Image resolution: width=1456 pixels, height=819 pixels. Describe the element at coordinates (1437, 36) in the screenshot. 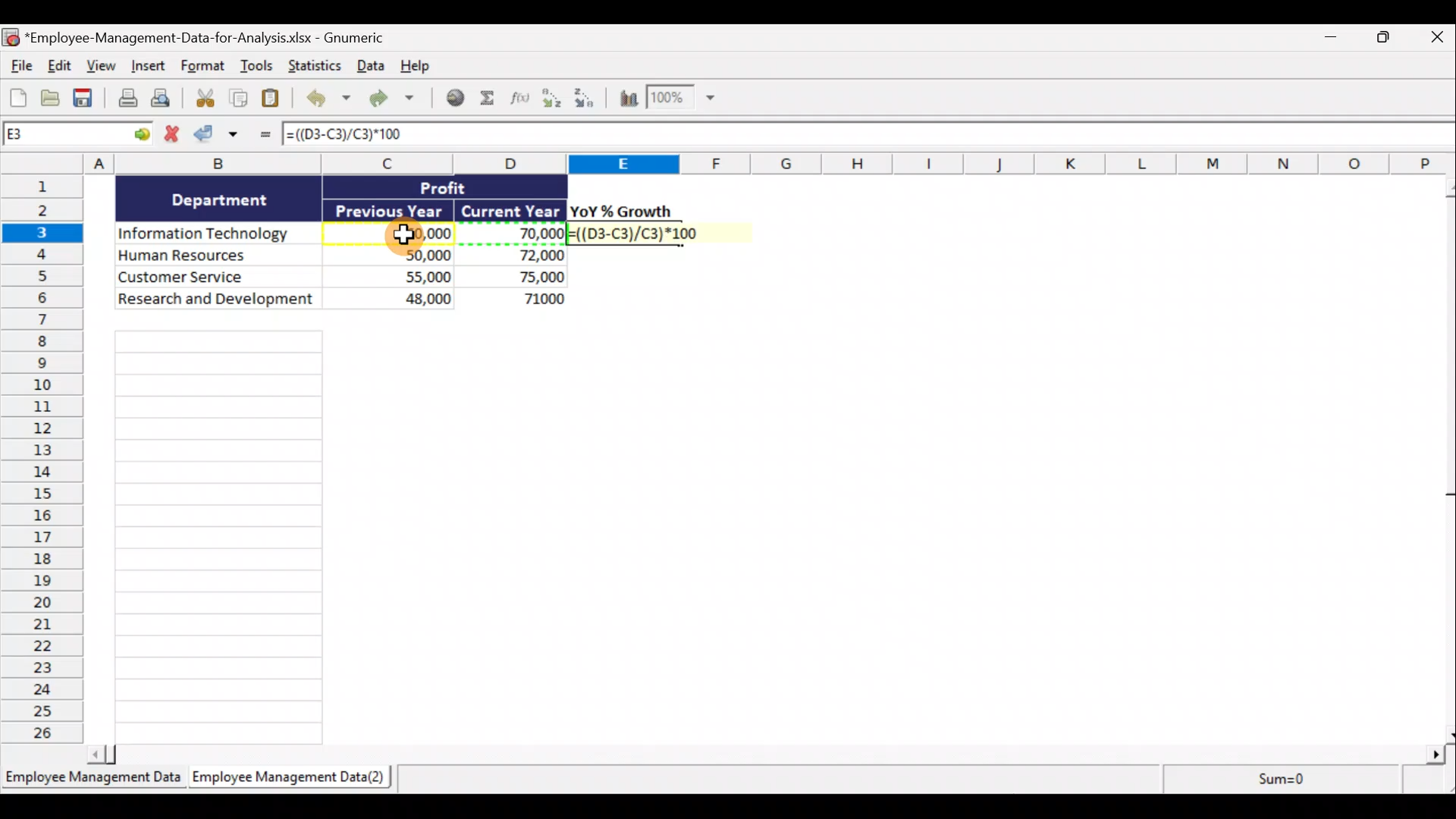

I see `Close` at that location.